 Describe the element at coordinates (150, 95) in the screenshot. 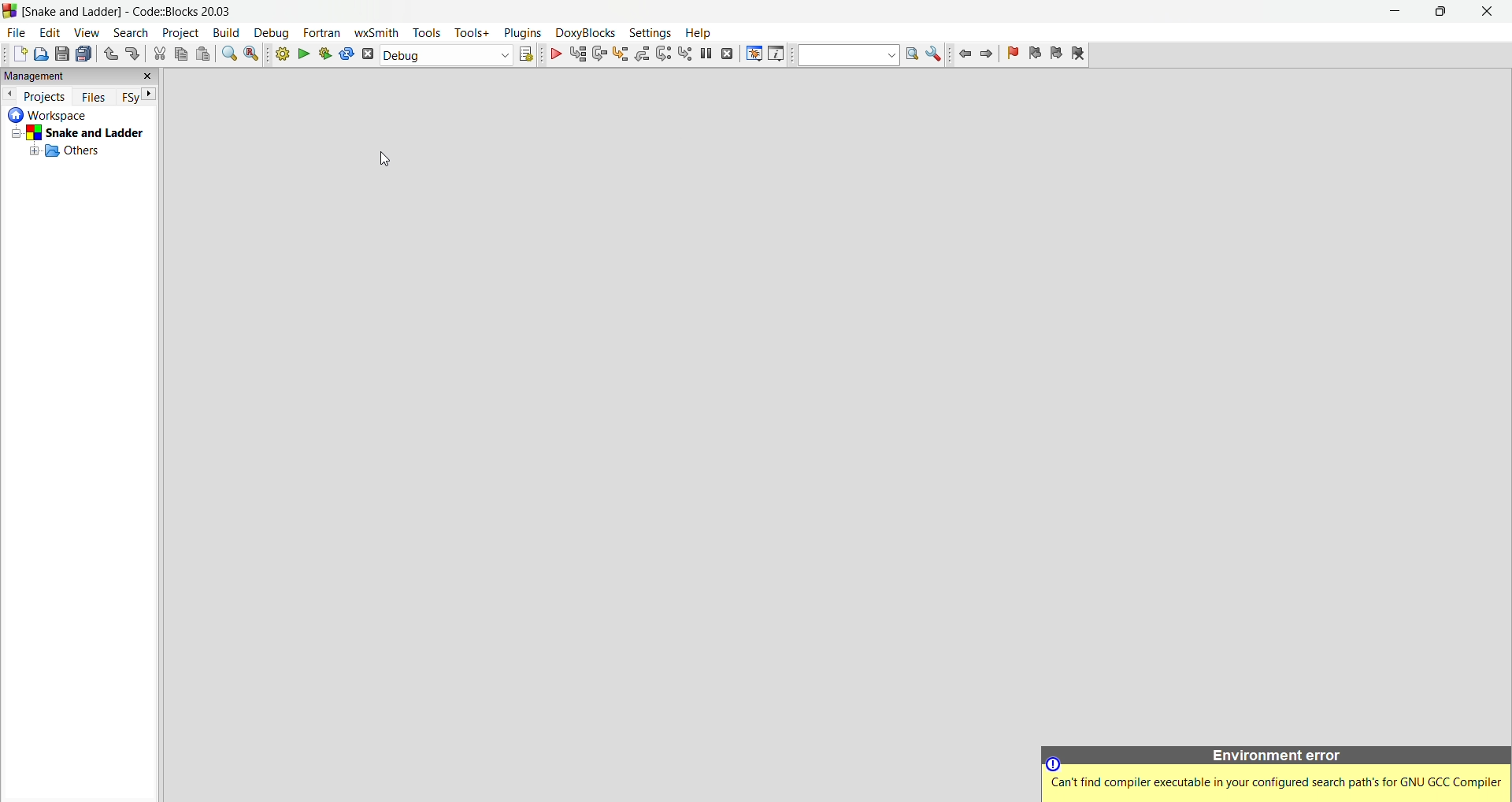

I see `next` at that location.